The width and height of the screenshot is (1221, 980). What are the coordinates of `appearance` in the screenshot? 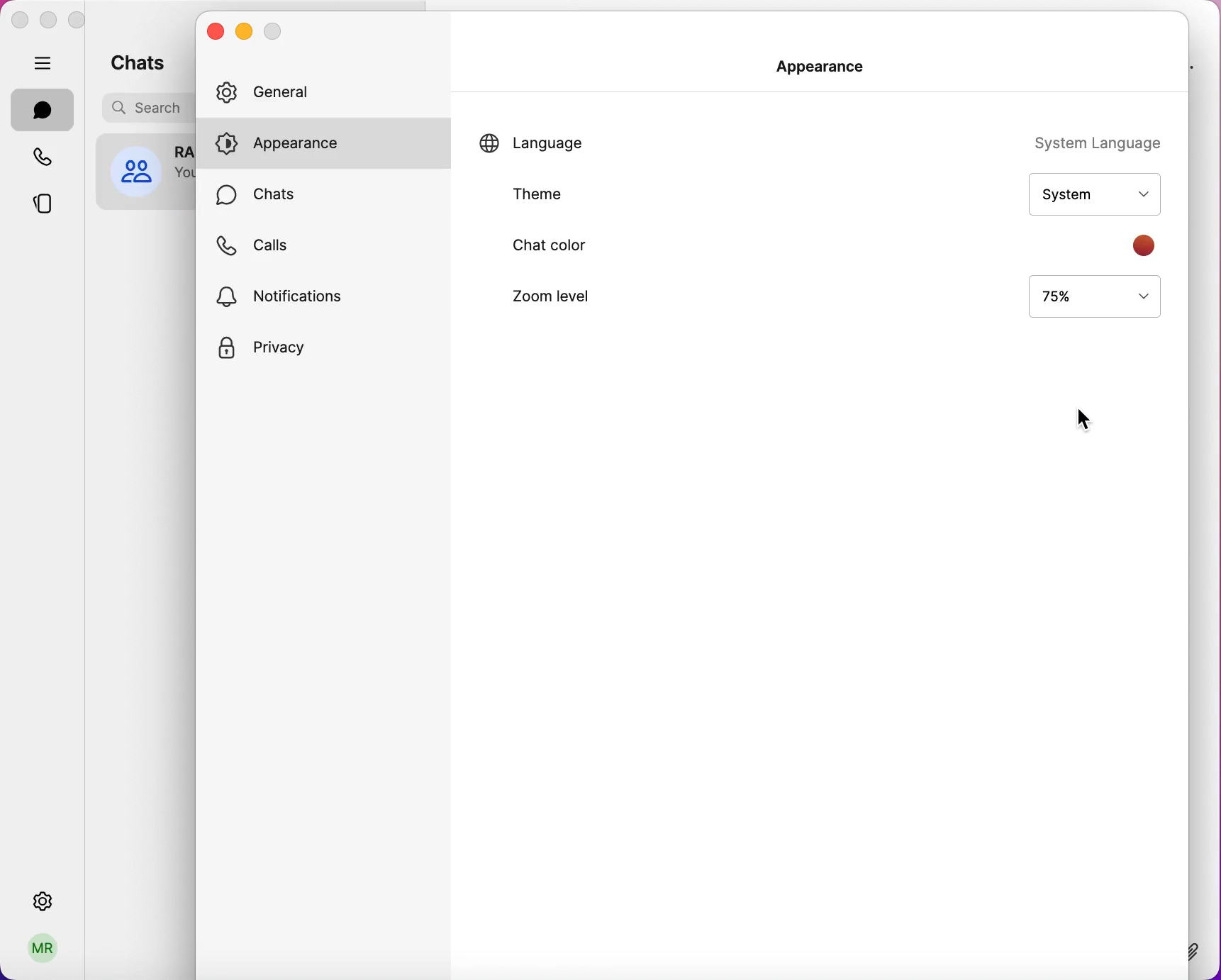 It's located at (825, 66).